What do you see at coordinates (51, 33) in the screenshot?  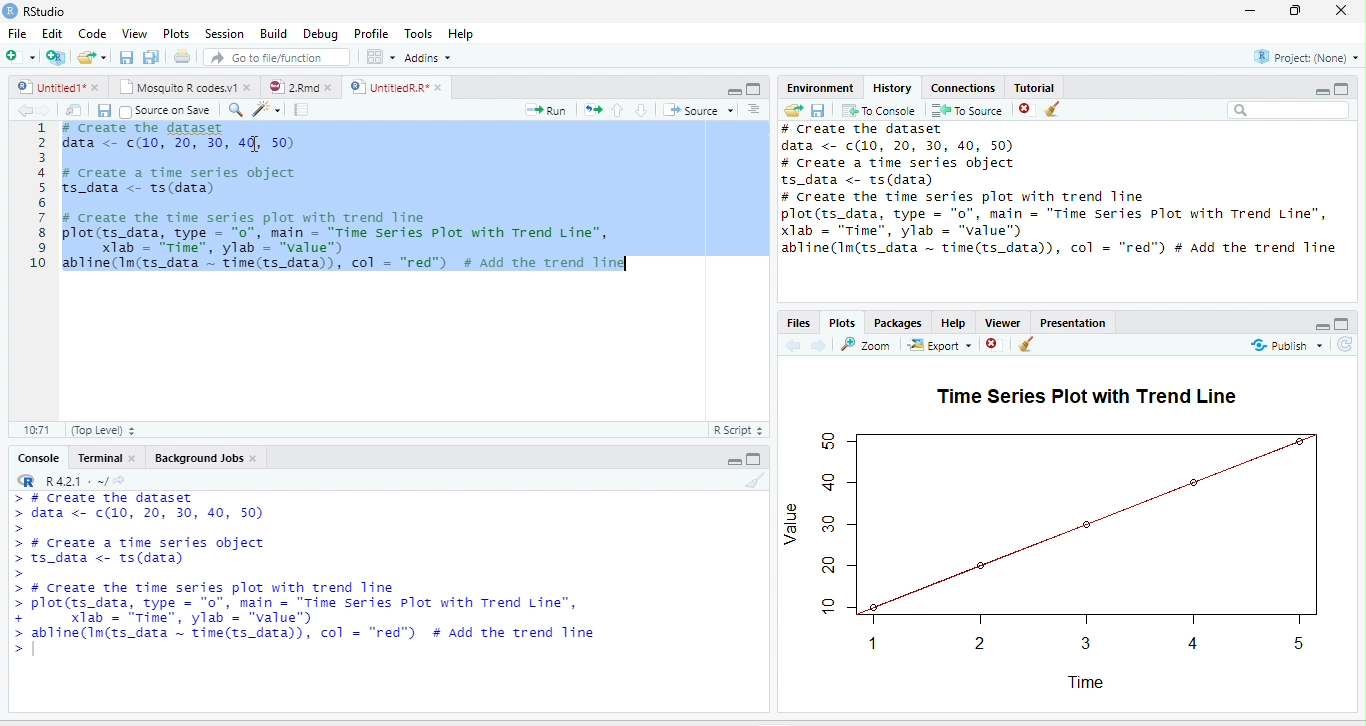 I see `Edit` at bounding box center [51, 33].